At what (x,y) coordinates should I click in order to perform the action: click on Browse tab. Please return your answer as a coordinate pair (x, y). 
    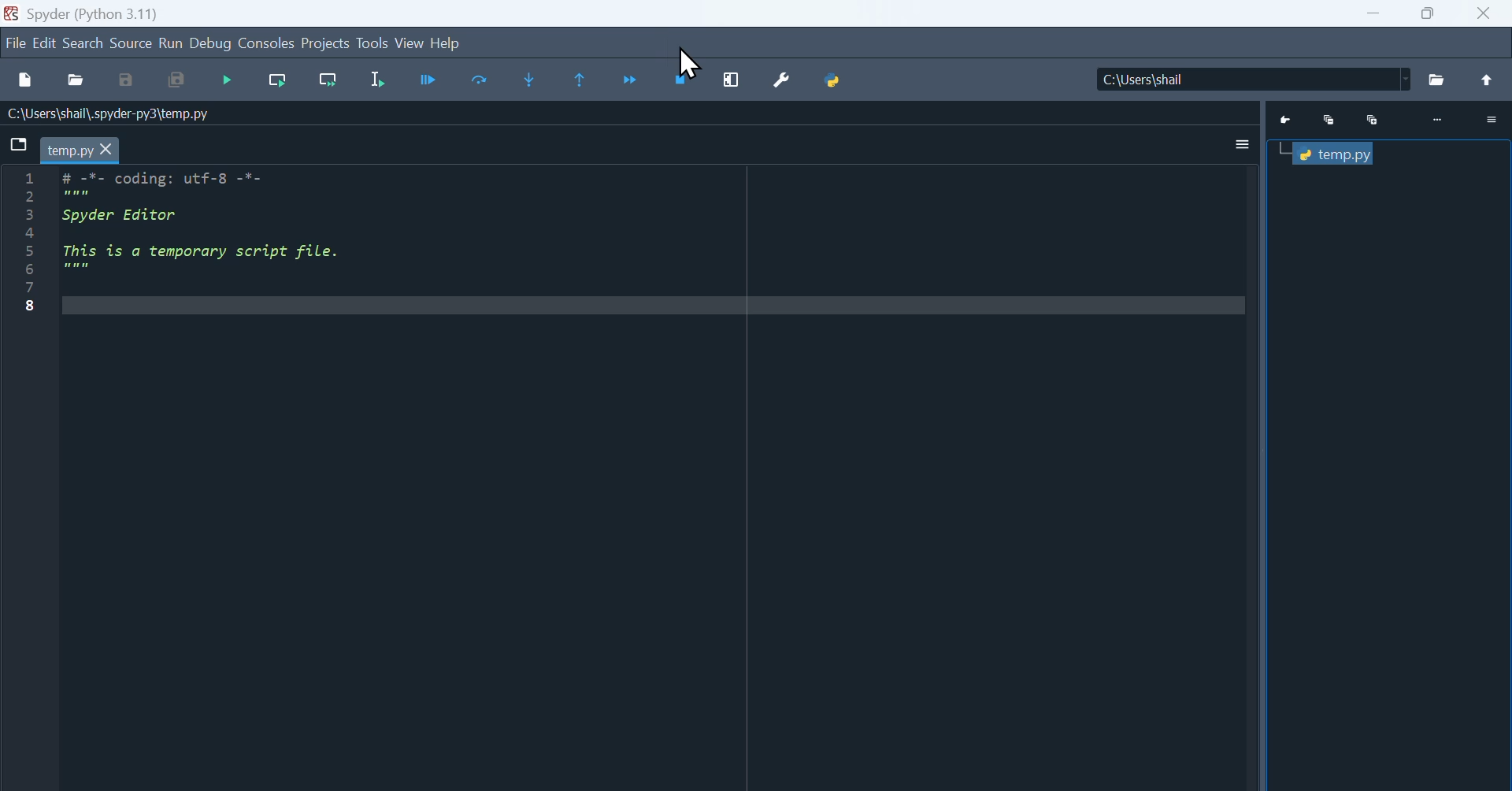
    Looking at the image, I should click on (19, 143).